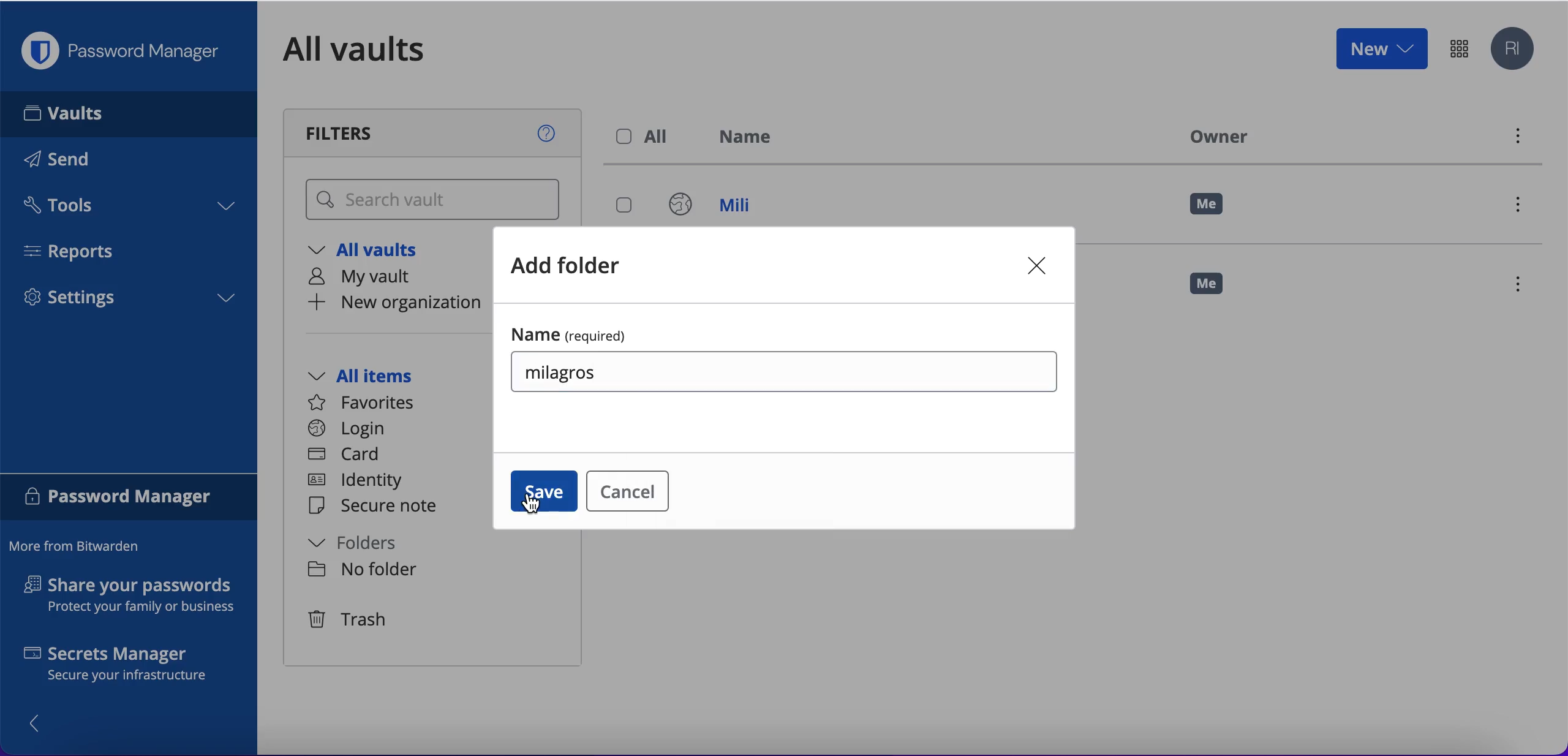  Describe the element at coordinates (625, 490) in the screenshot. I see `cancel` at that location.